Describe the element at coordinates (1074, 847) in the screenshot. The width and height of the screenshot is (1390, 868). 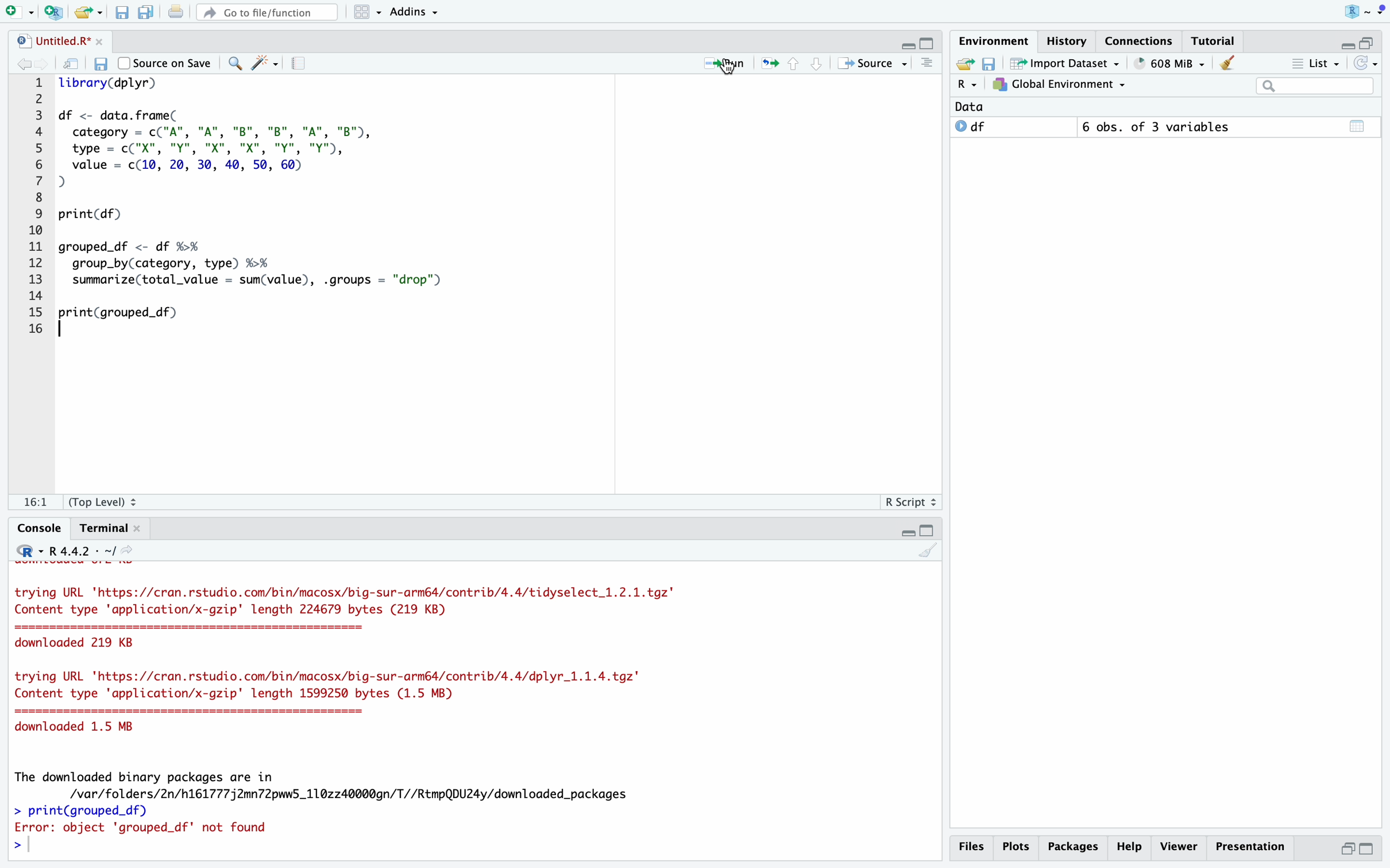
I see `Packages` at that location.